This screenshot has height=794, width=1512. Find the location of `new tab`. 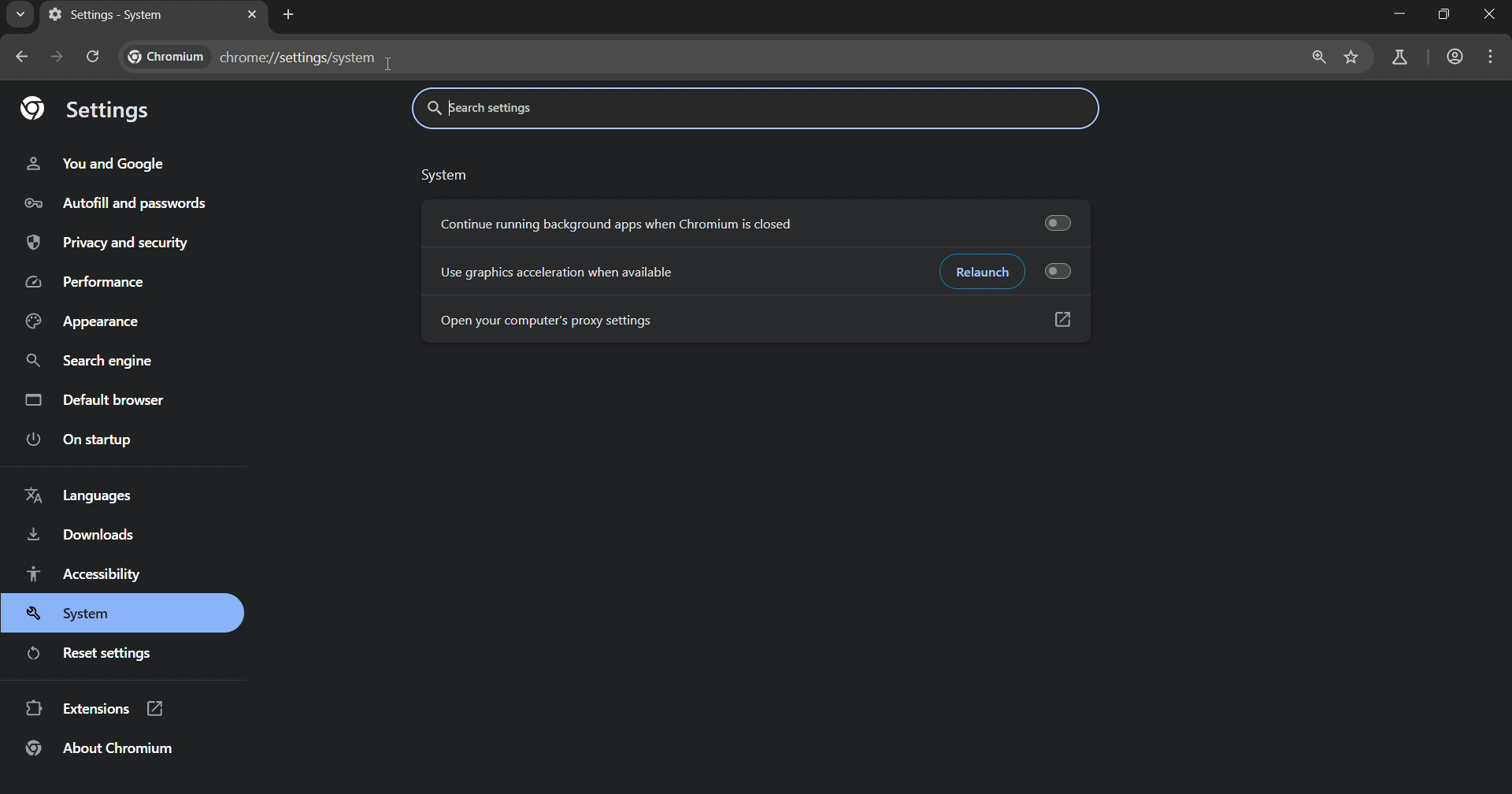

new tab is located at coordinates (289, 15).